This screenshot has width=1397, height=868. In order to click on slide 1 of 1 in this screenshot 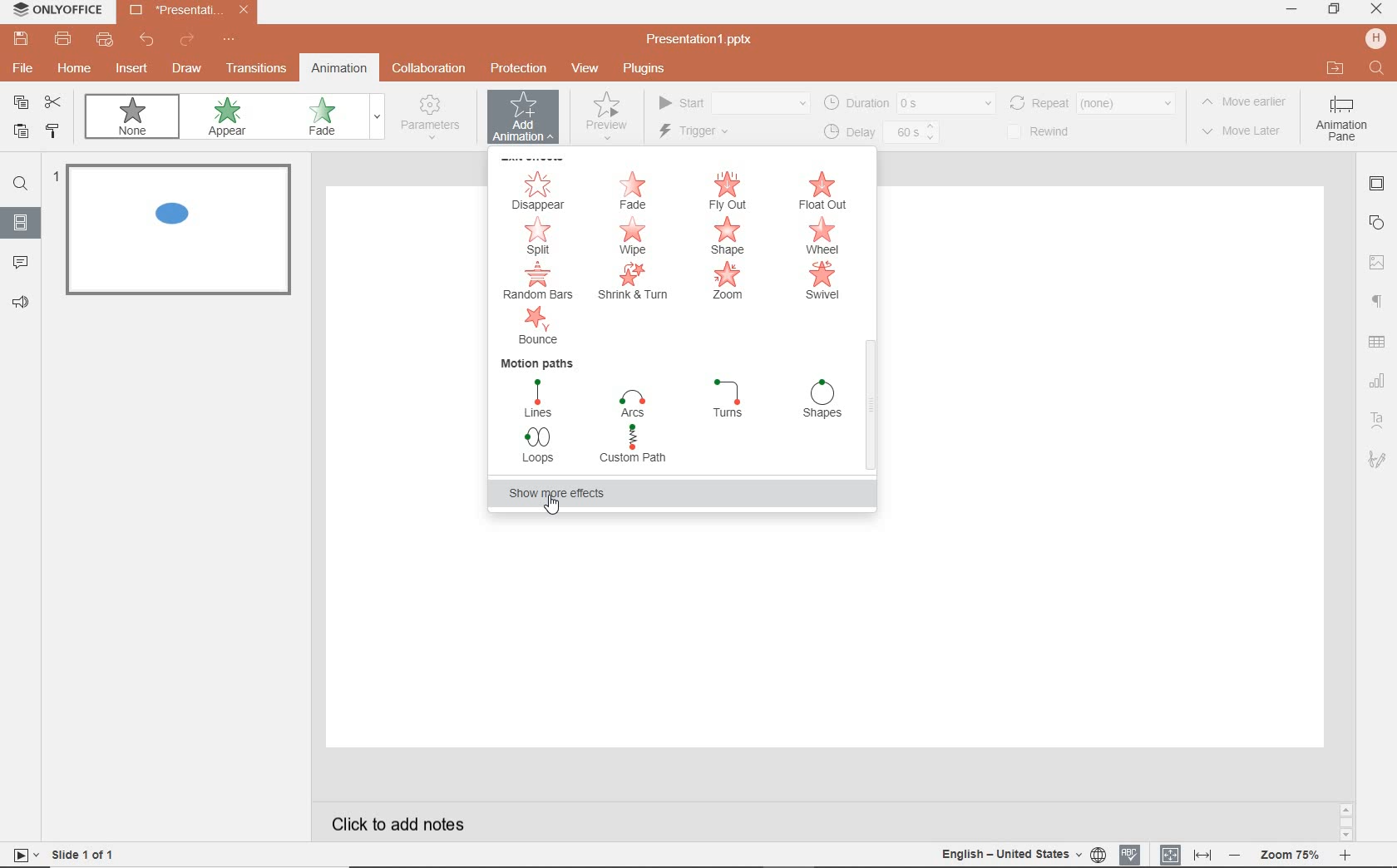, I will do `click(87, 857)`.